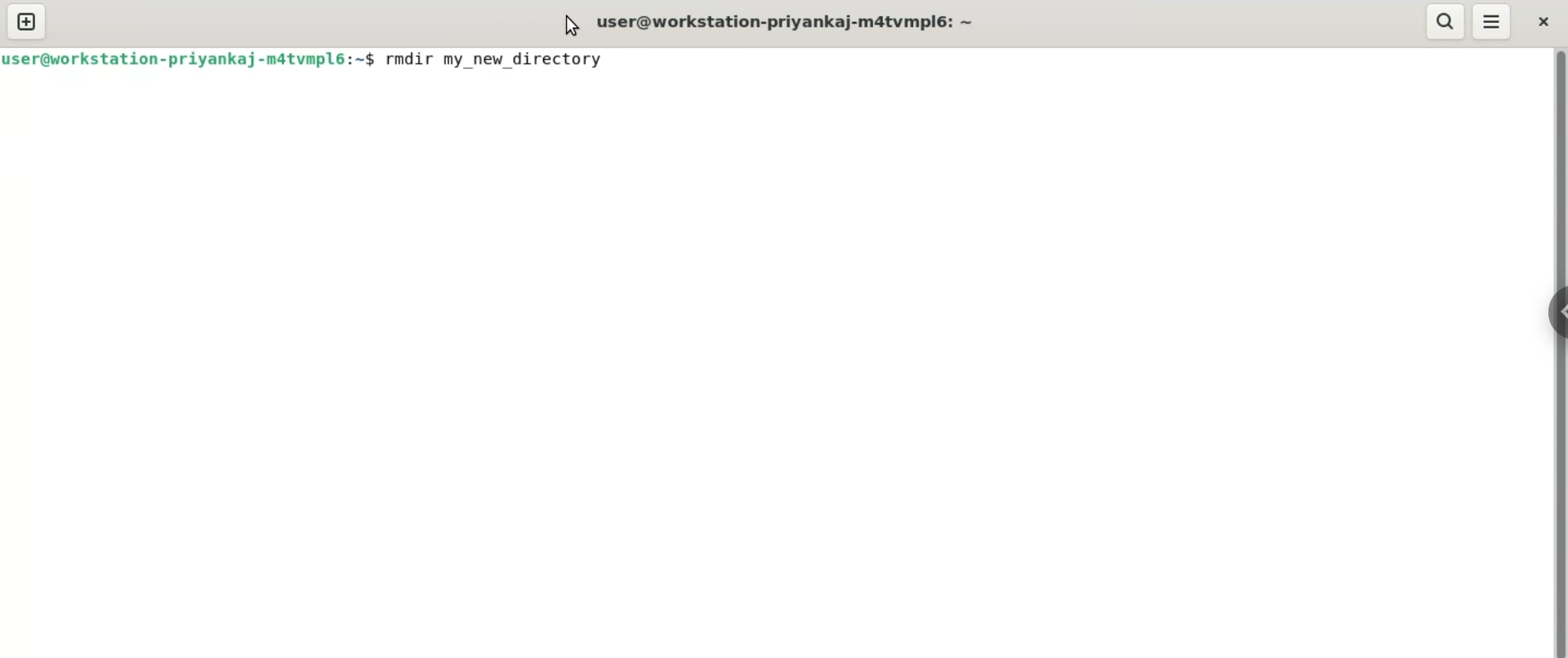 The image size is (1568, 658). What do you see at coordinates (567, 24) in the screenshot?
I see `cursor` at bounding box center [567, 24].